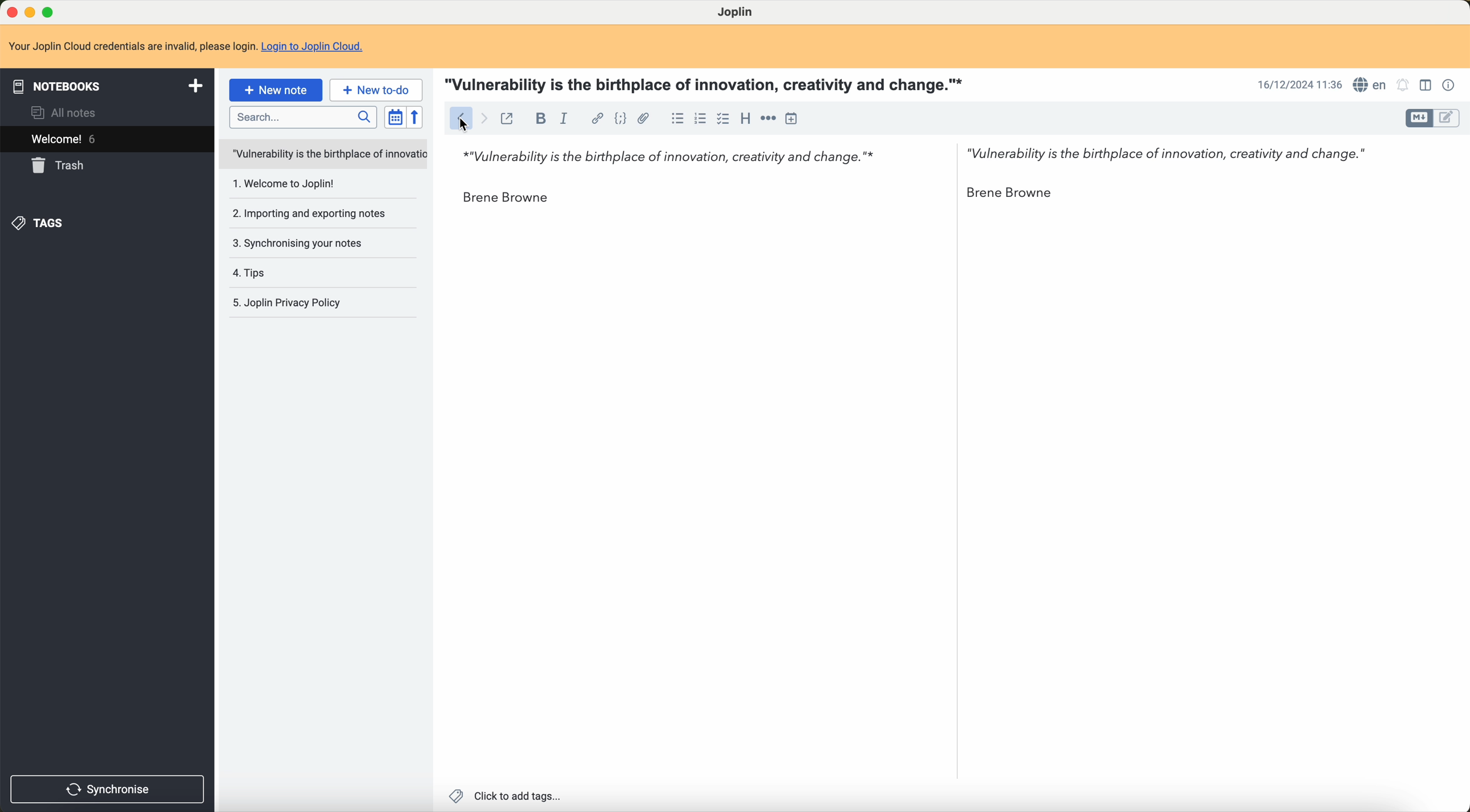  Describe the element at coordinates (699, 121) in the screenshot. I see `numered list` at that location.